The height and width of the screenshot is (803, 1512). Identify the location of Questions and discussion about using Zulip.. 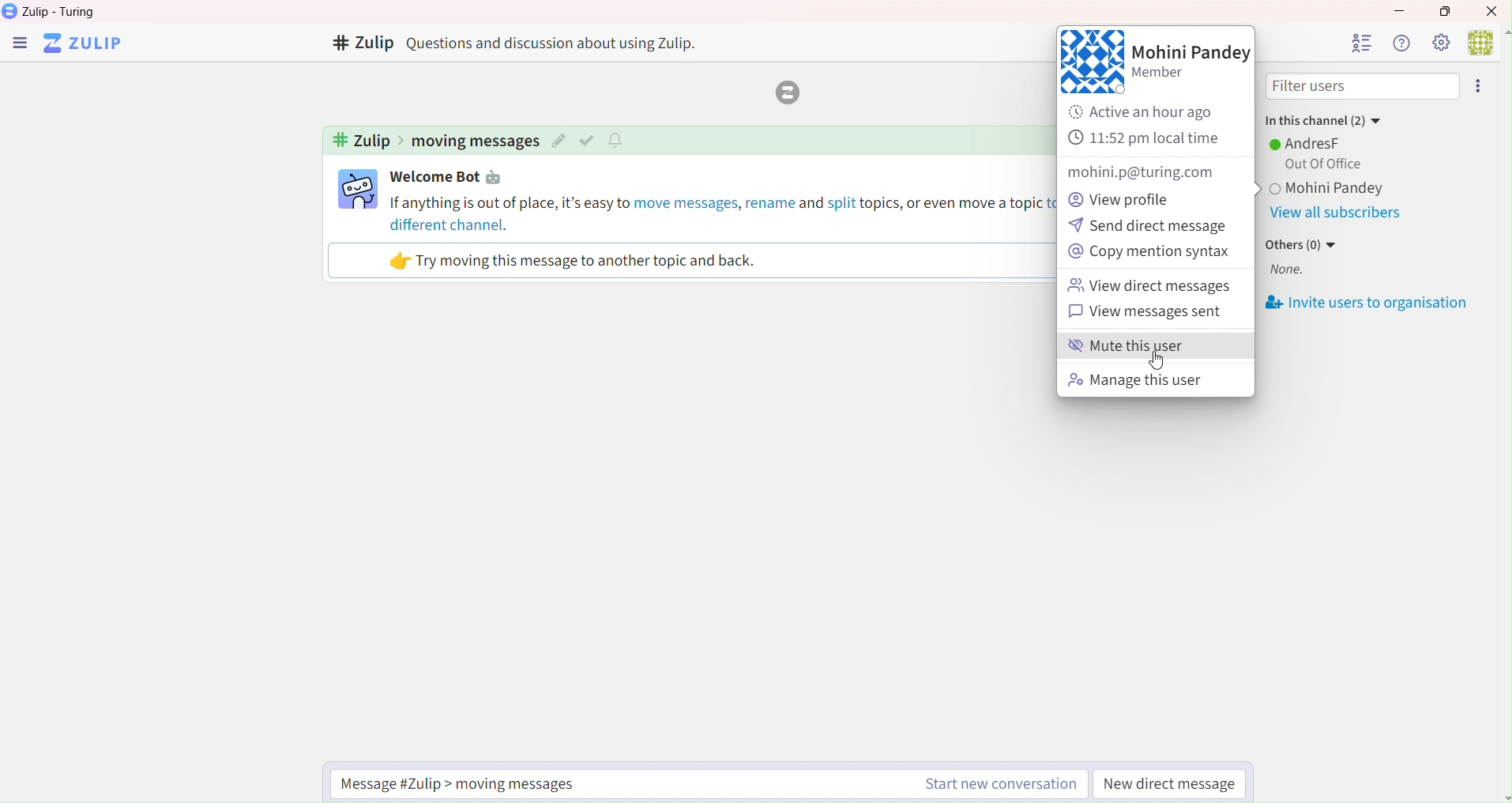
(559, 43).